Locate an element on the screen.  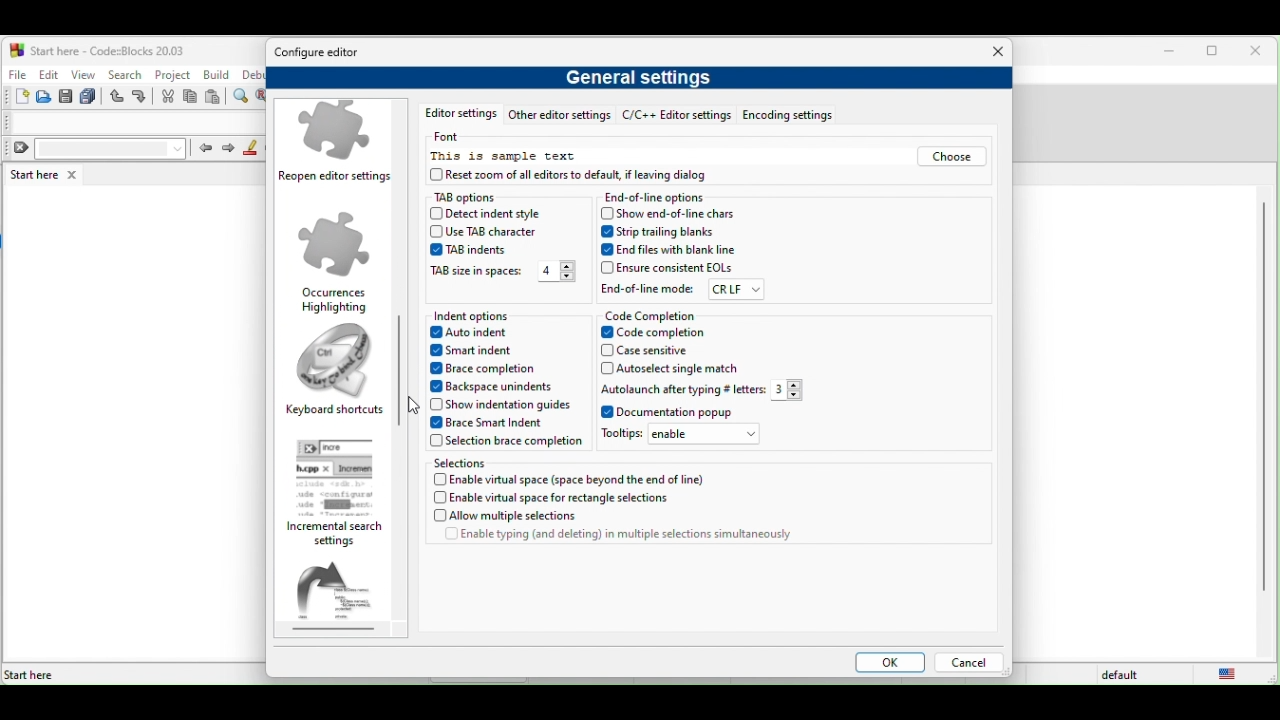
detect indent style is located at coordinates (504, 215).